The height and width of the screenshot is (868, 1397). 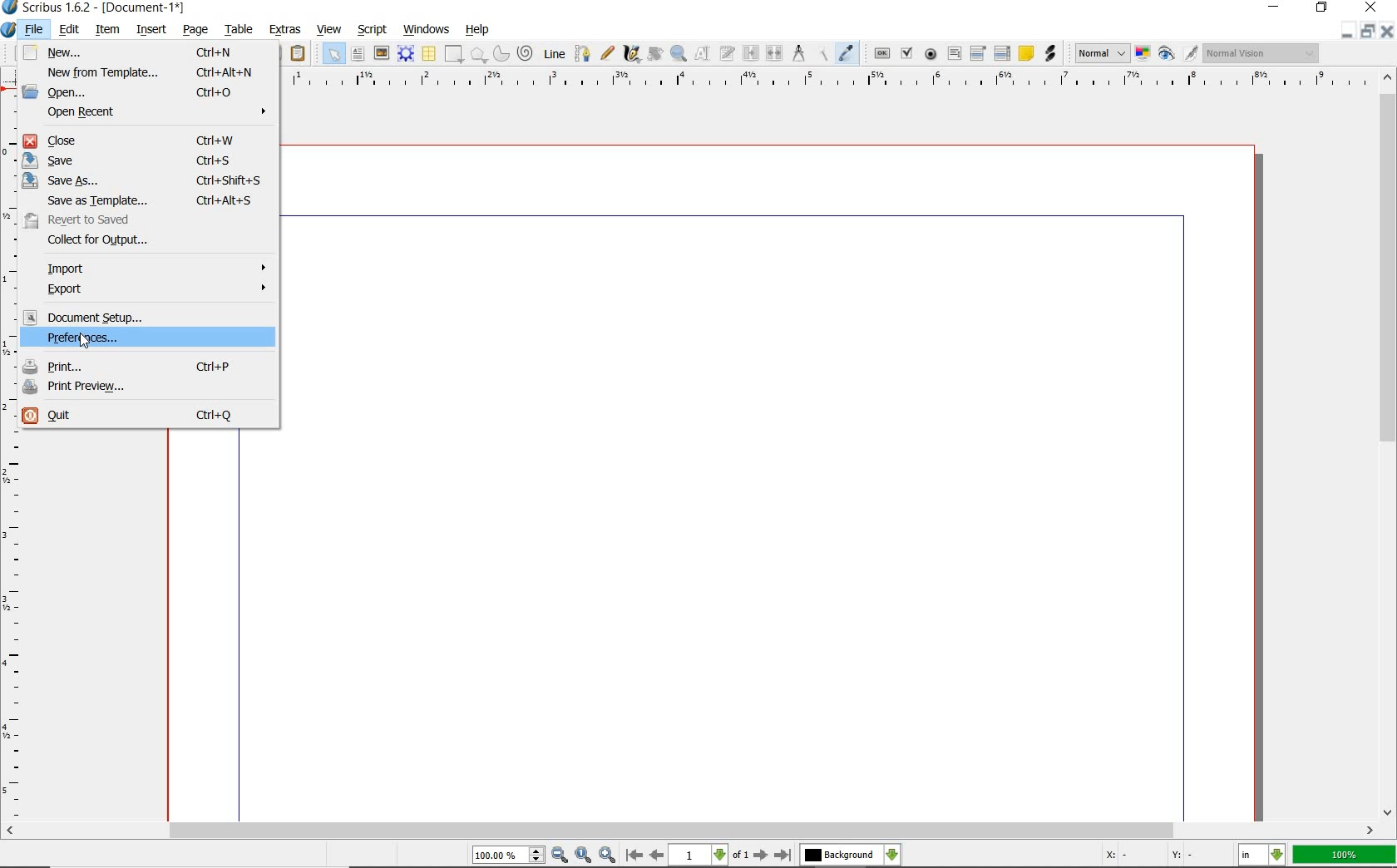 What do you see at coordinates (583, 54) in the screenshot?
I see `Bezier curve` at bounding box center [583, 54].